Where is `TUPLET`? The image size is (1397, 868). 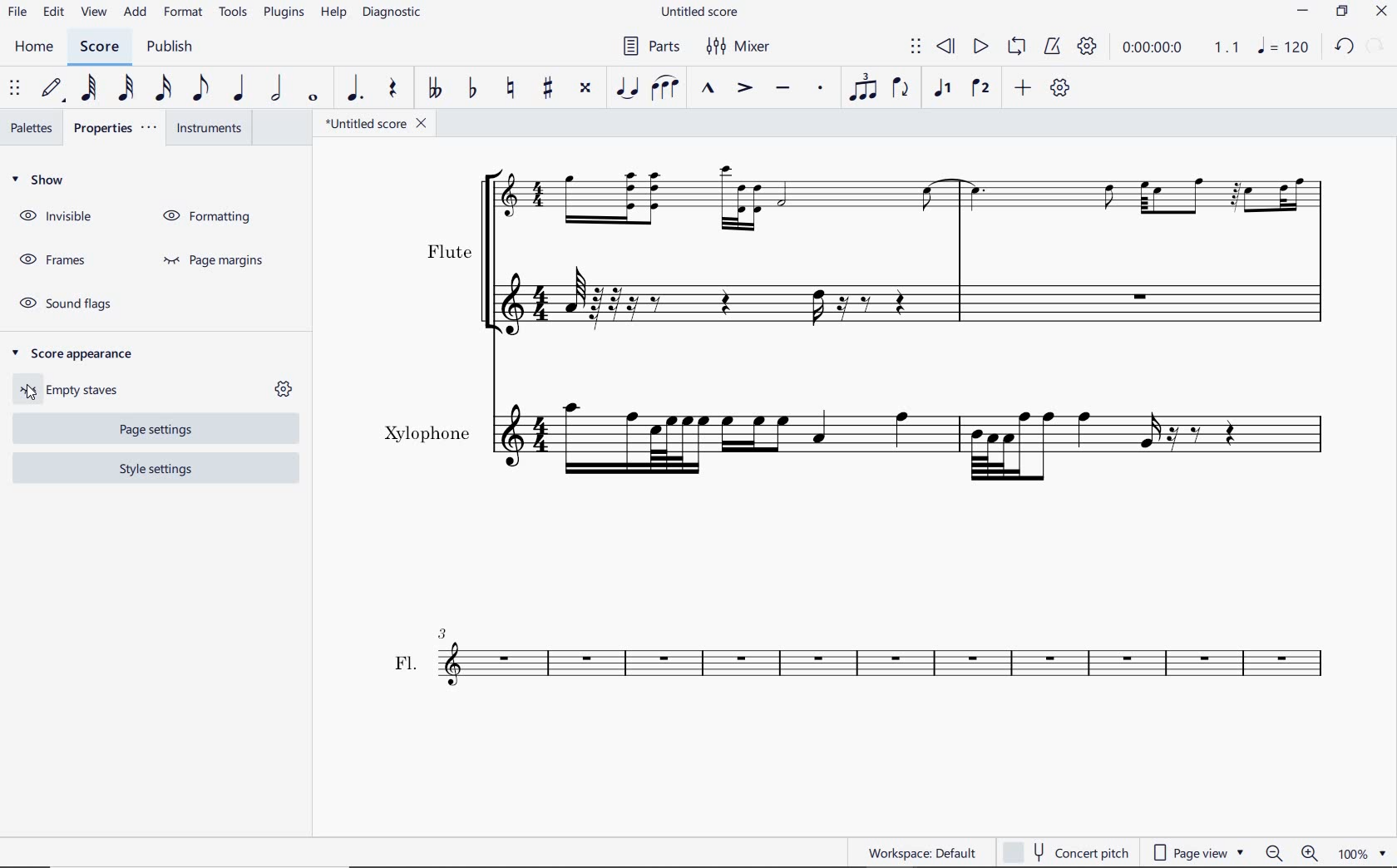 TUPLET is located at coordinates (864, 86).